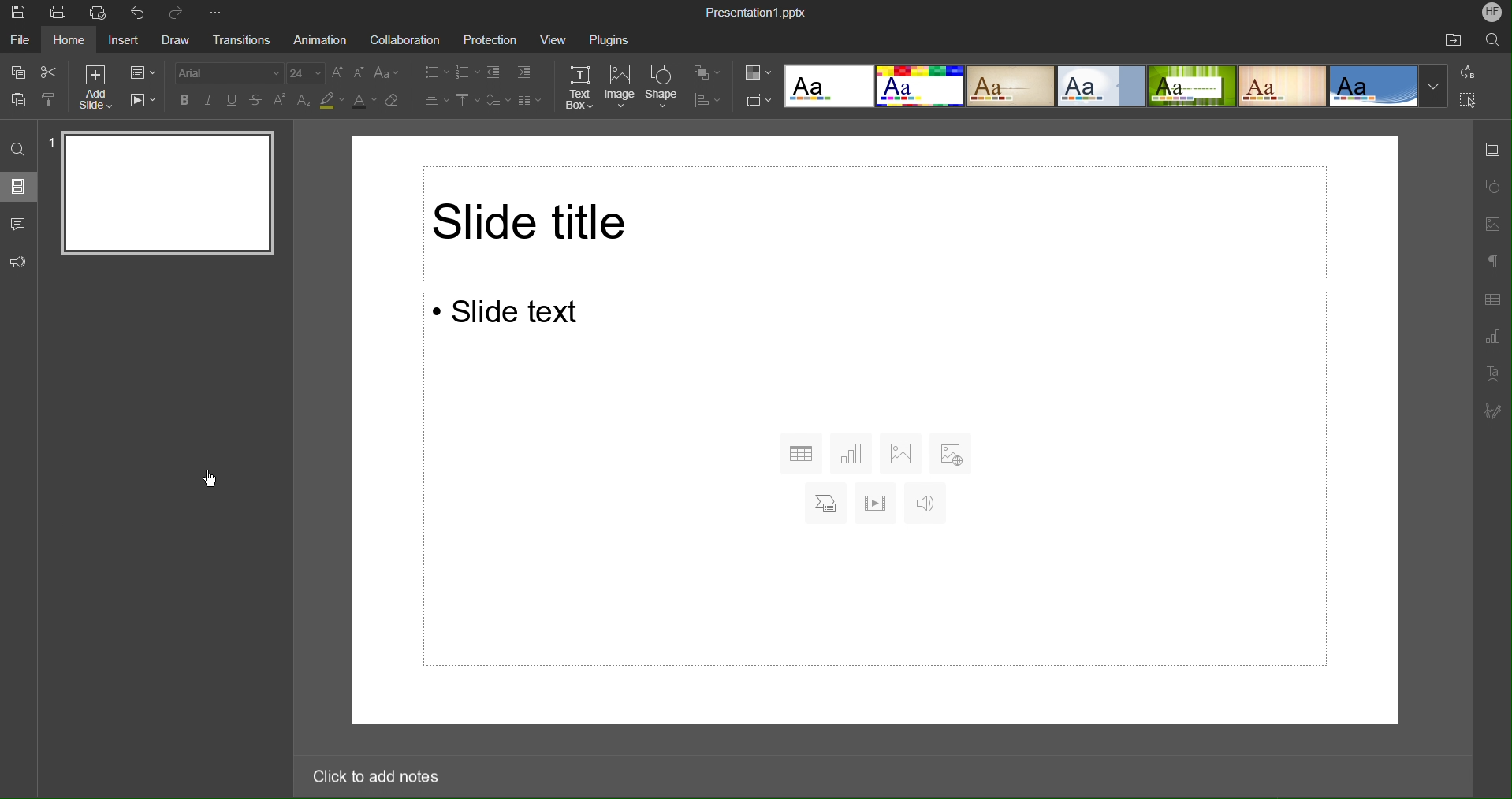 The height and width of the screenshot is (799, 1512). Describe the element at coordinates (873, 481) in the screenshot. I see `slide text` at that location.